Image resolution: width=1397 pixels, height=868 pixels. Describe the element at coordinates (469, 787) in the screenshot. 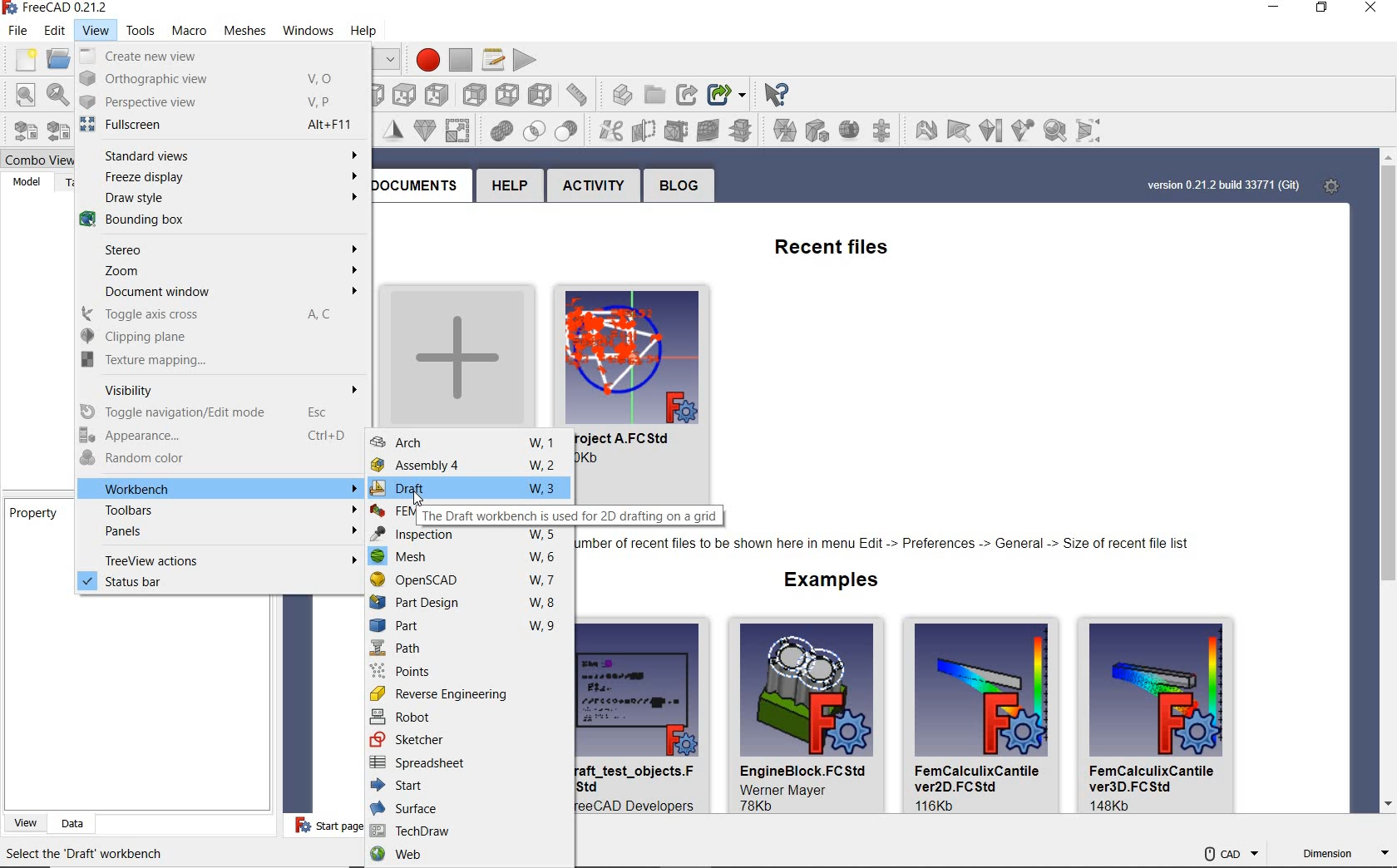

I see `start` at that location.